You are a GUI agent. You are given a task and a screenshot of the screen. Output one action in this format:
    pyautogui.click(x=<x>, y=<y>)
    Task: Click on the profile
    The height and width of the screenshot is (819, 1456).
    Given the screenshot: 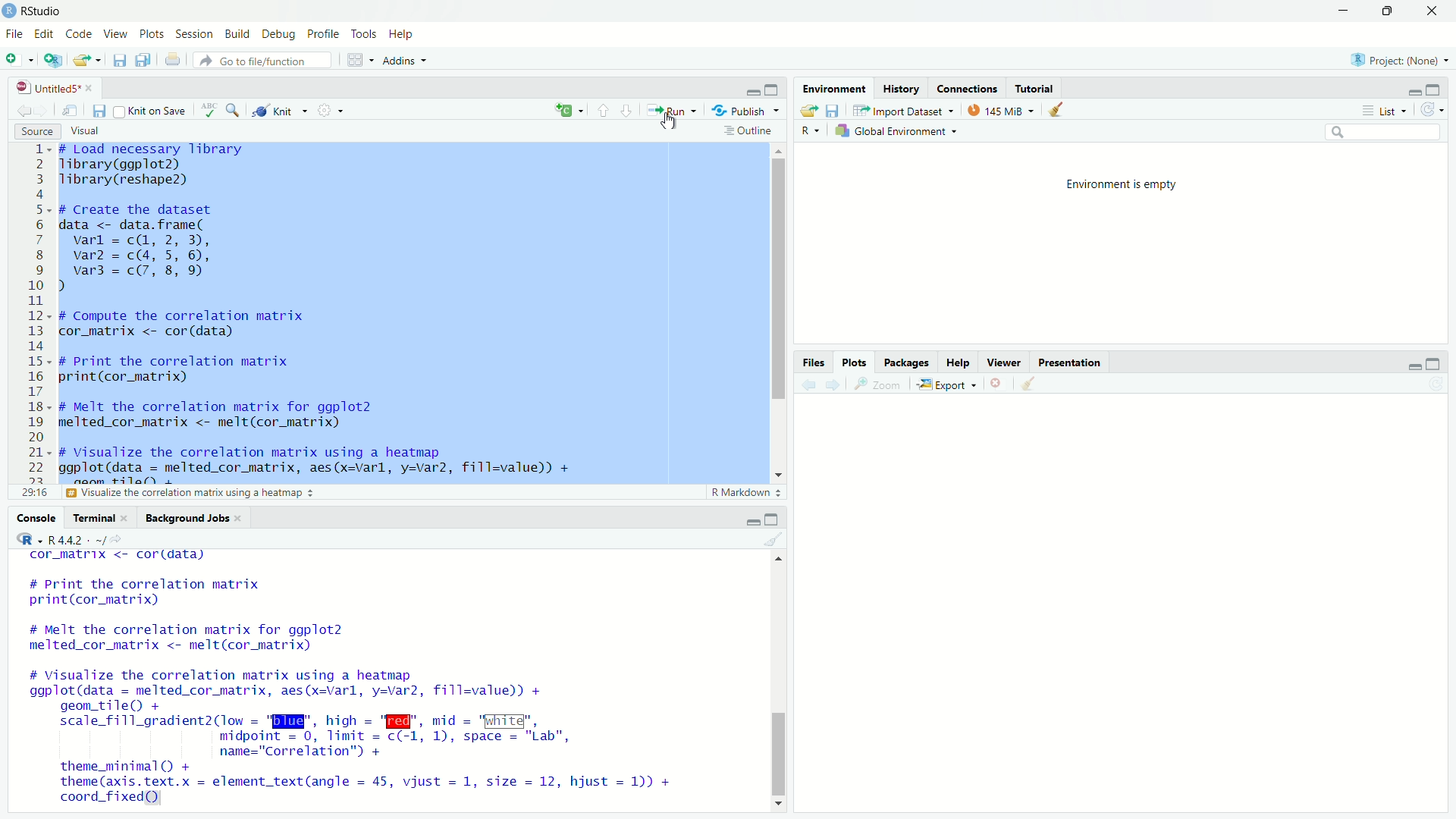 What is the action you would take?
    pyautogui.click(x=324, y=35)
    